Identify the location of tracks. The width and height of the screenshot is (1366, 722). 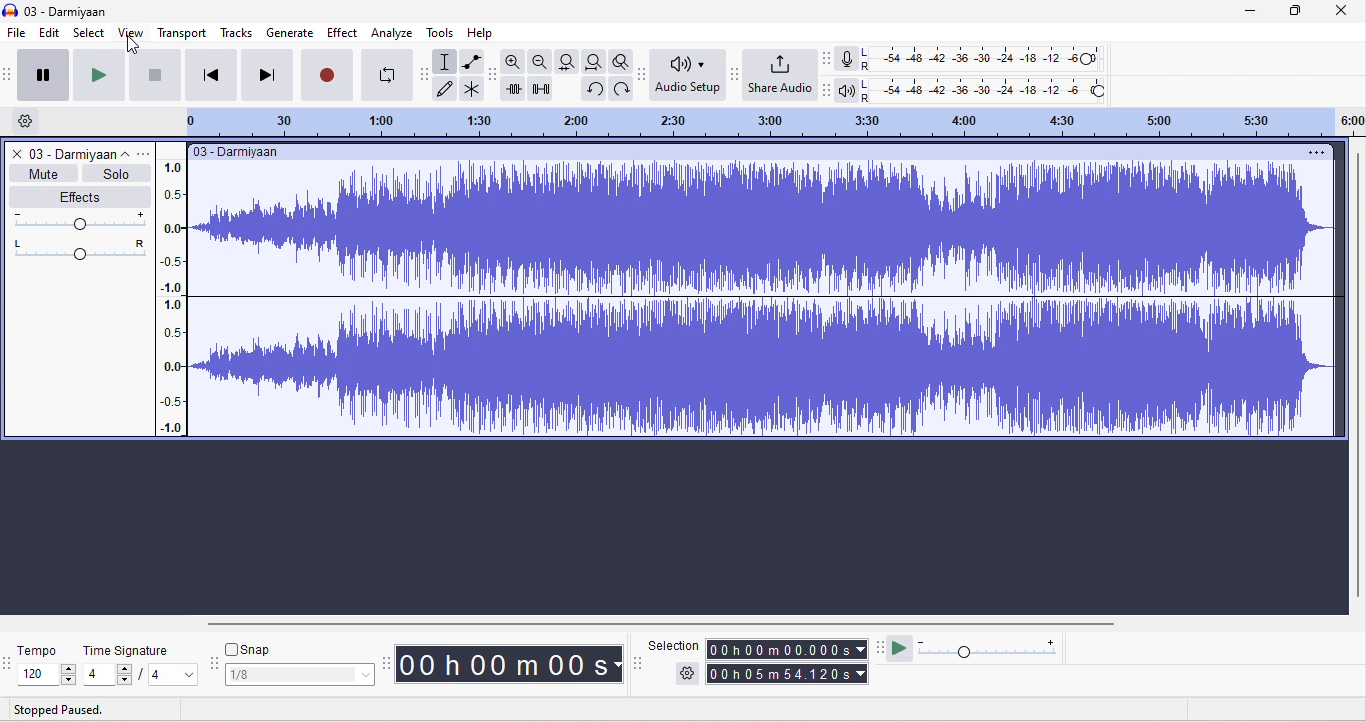
(237, 33).